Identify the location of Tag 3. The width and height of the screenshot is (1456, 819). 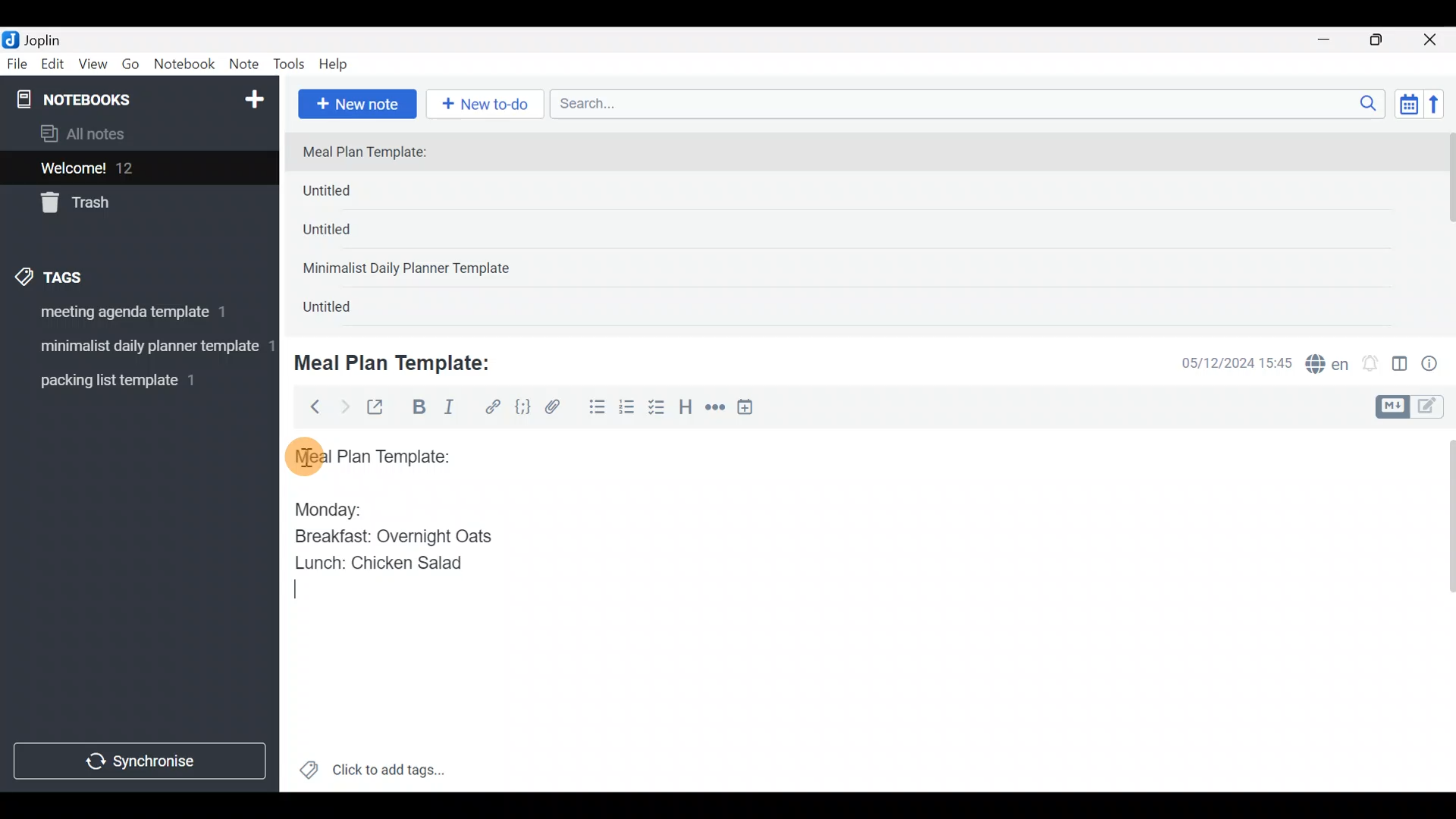
(134, 380).